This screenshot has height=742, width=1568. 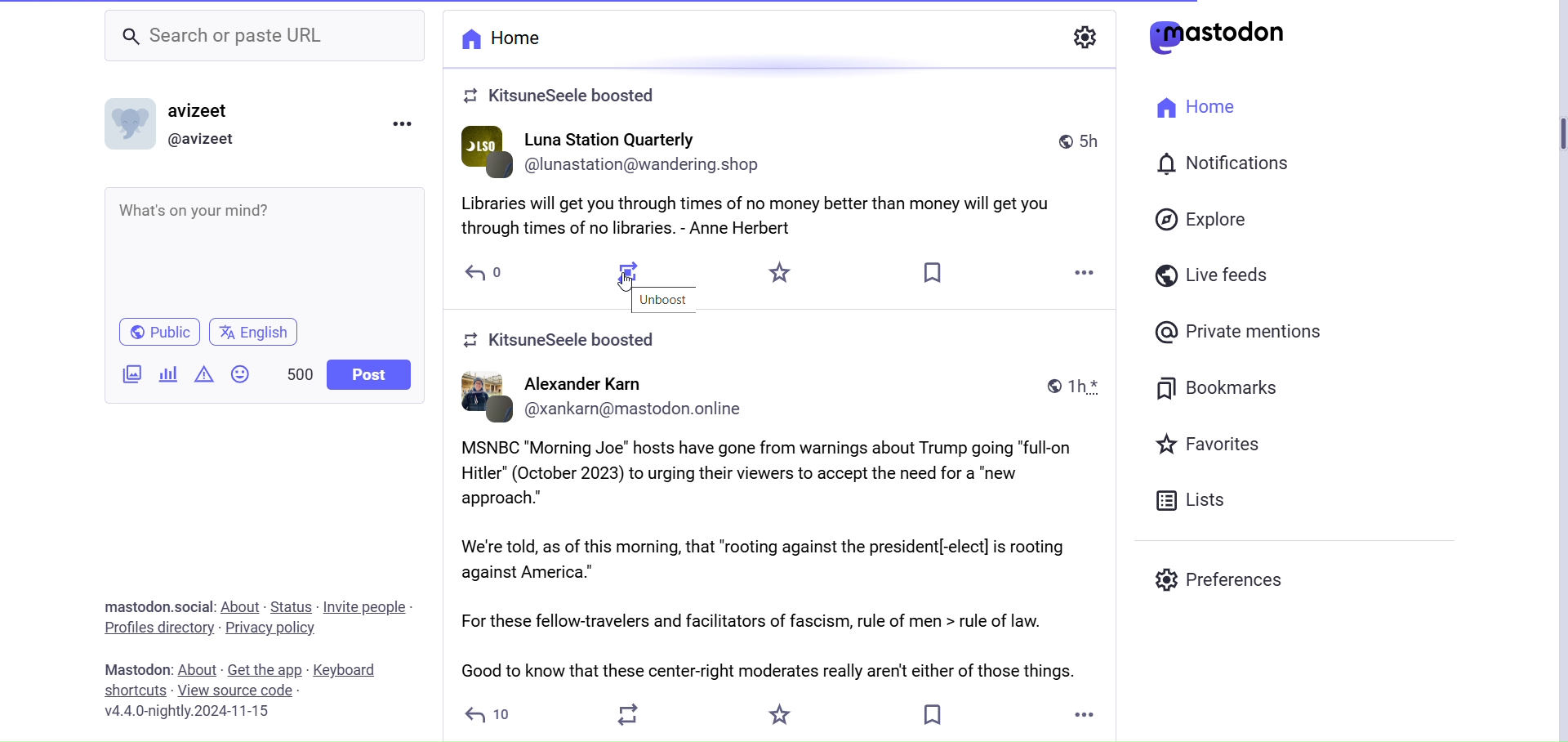 What do you see at coordinates (159, 629) in the screenshot?
I see `Profiles Directory` at bounding box center [159, 629].